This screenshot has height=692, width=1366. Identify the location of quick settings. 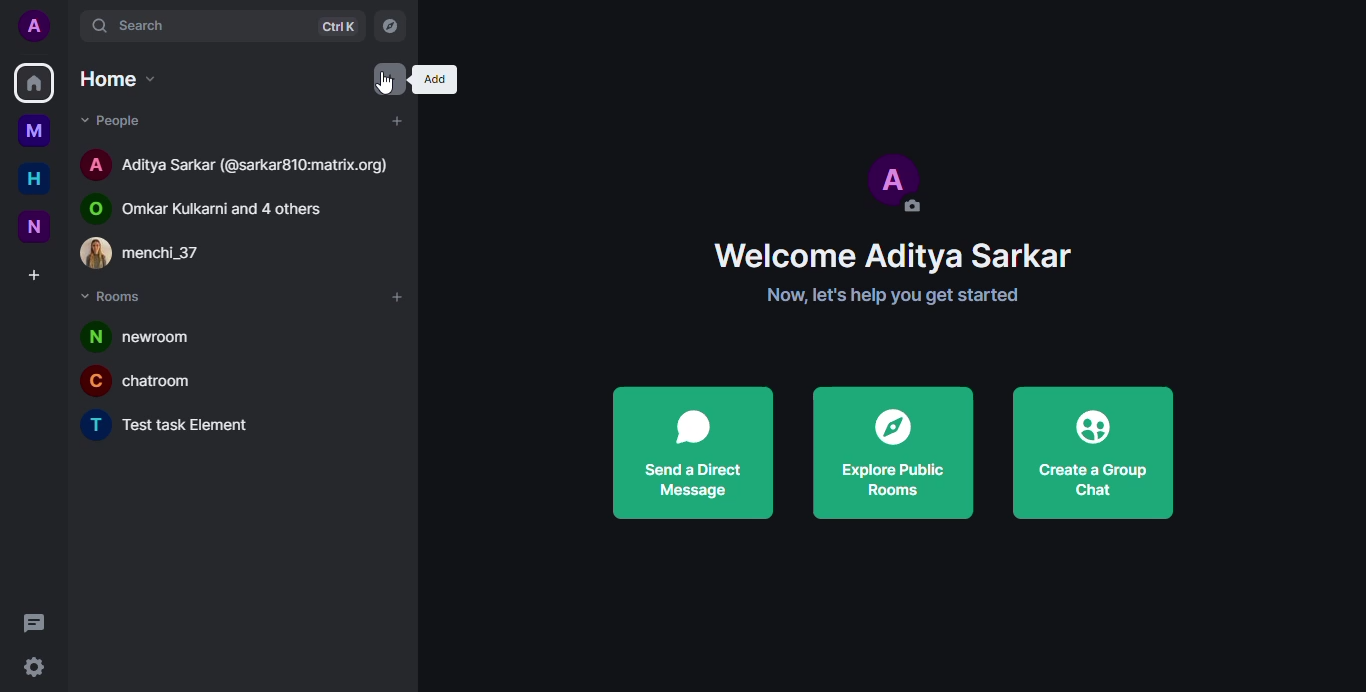
(35, 667).